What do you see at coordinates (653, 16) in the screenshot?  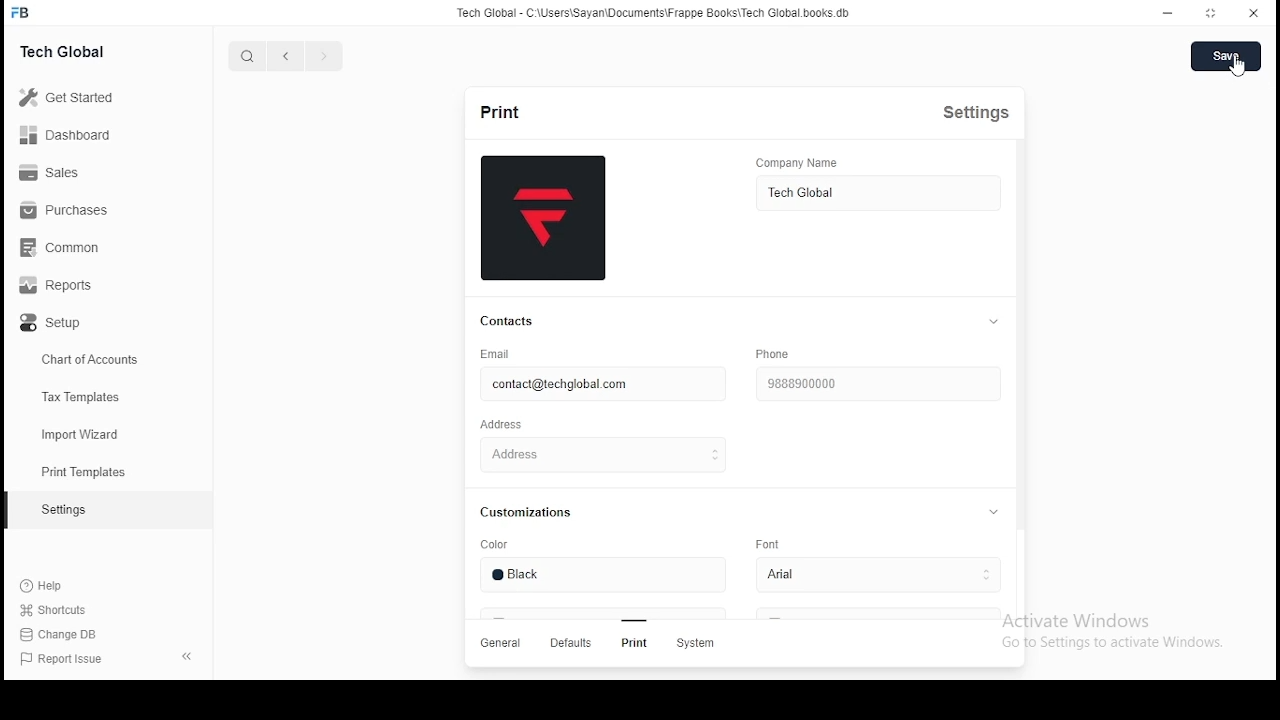 I see `Tech Global - C:\Users\Sayan\Documents\Frappe Books\Tech Global. books. db` at bounding box center [653, 16].